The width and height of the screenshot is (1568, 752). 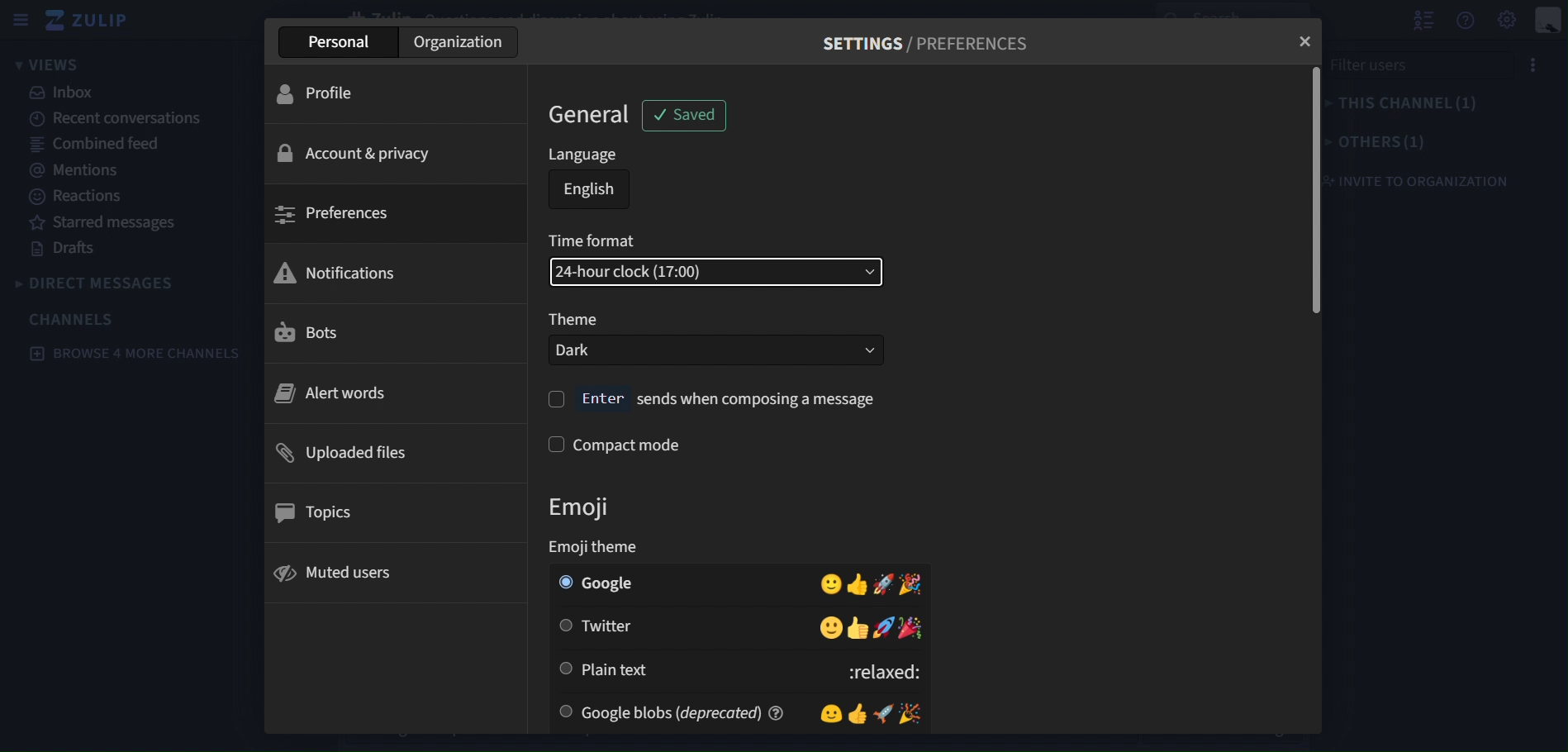 I want to click on views, so click(x=48, y=63).